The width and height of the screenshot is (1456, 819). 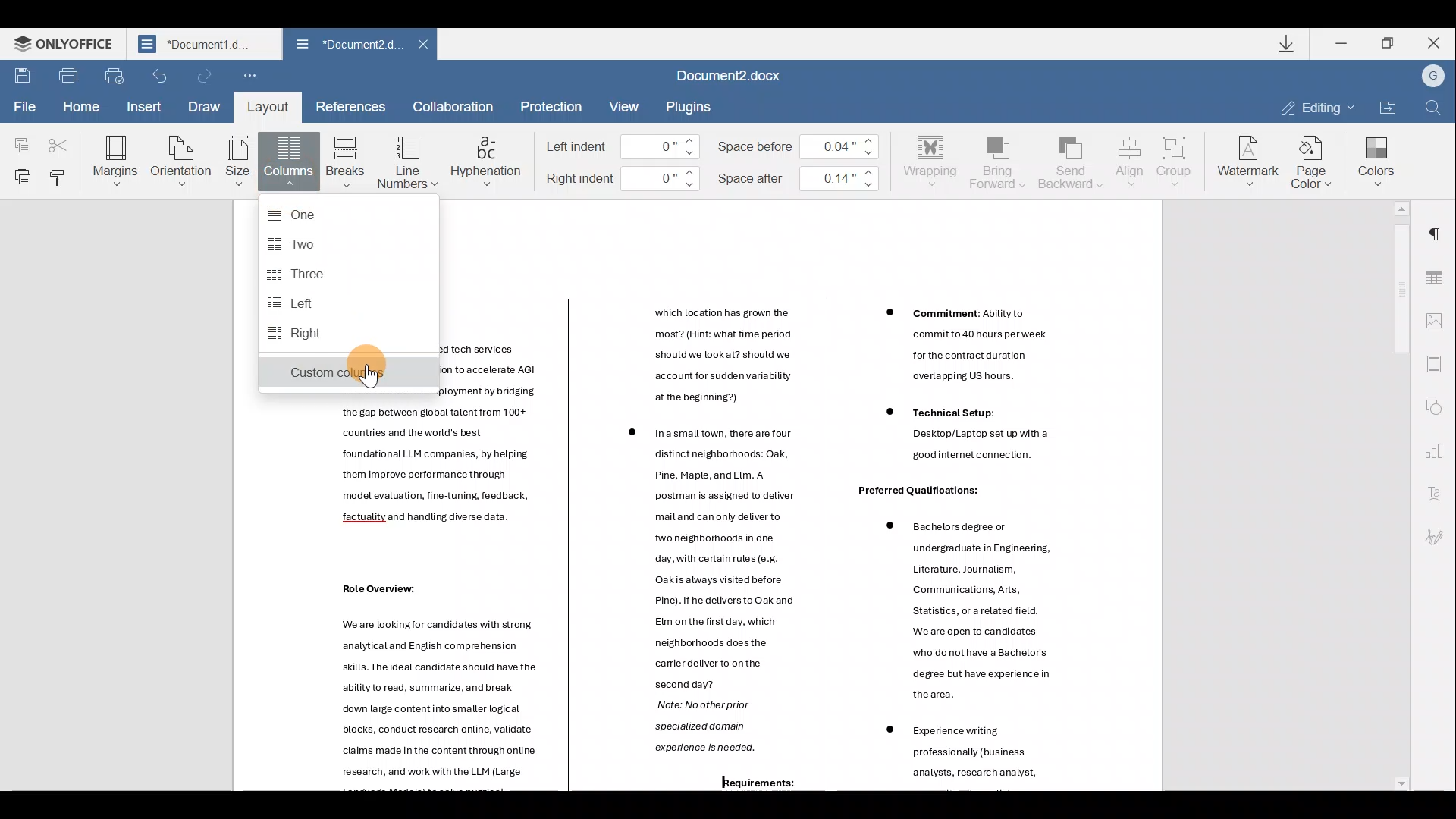 What do you see at coordinates (453, 106) in the screenshot?
I see `Collaboration` at bounding box center [453, 106].